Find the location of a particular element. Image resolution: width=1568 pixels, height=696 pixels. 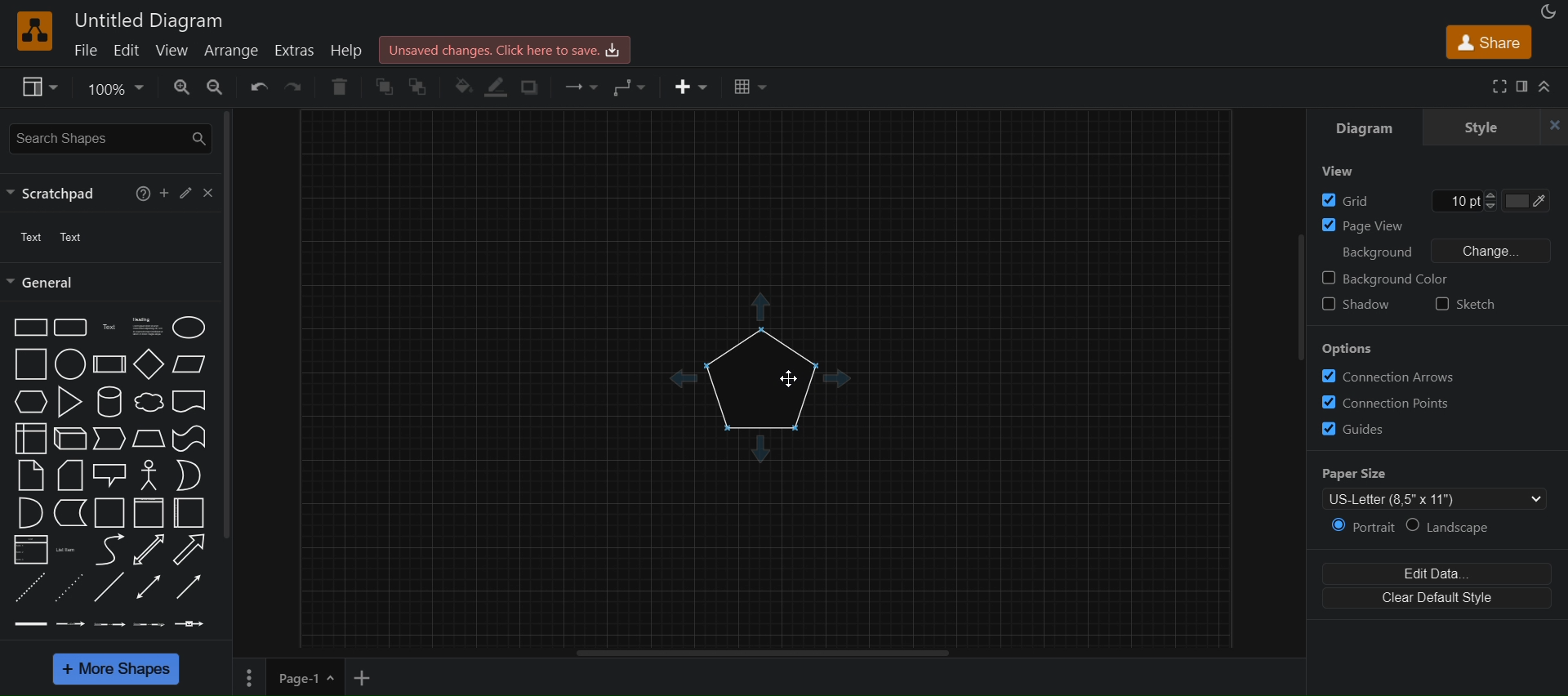

fullscreen is located at coordinates (1501, 86).